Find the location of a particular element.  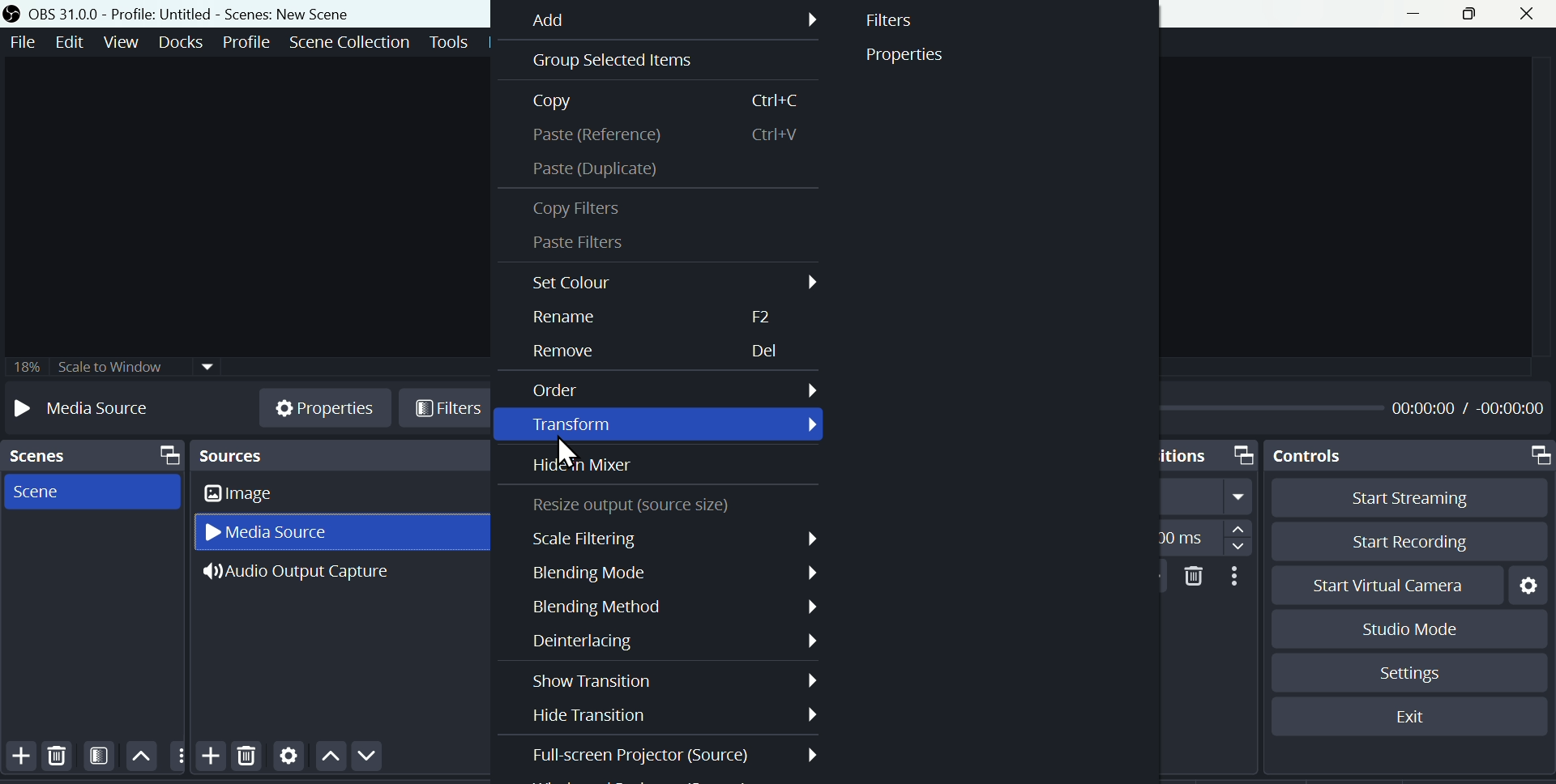

maximise is located at coordinates (1473, 15).